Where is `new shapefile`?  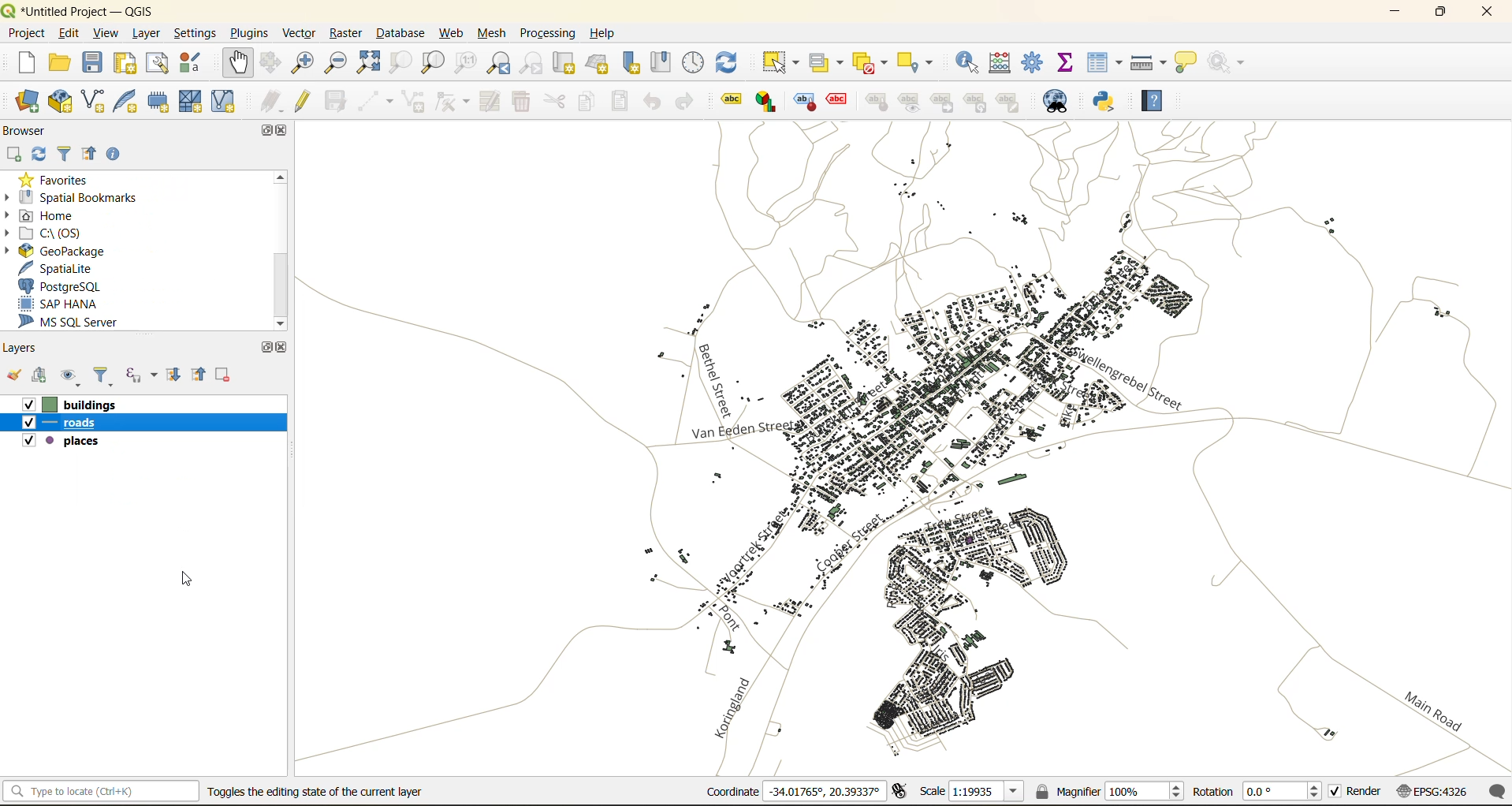
new shapefile is located at coordinates (90, 102).